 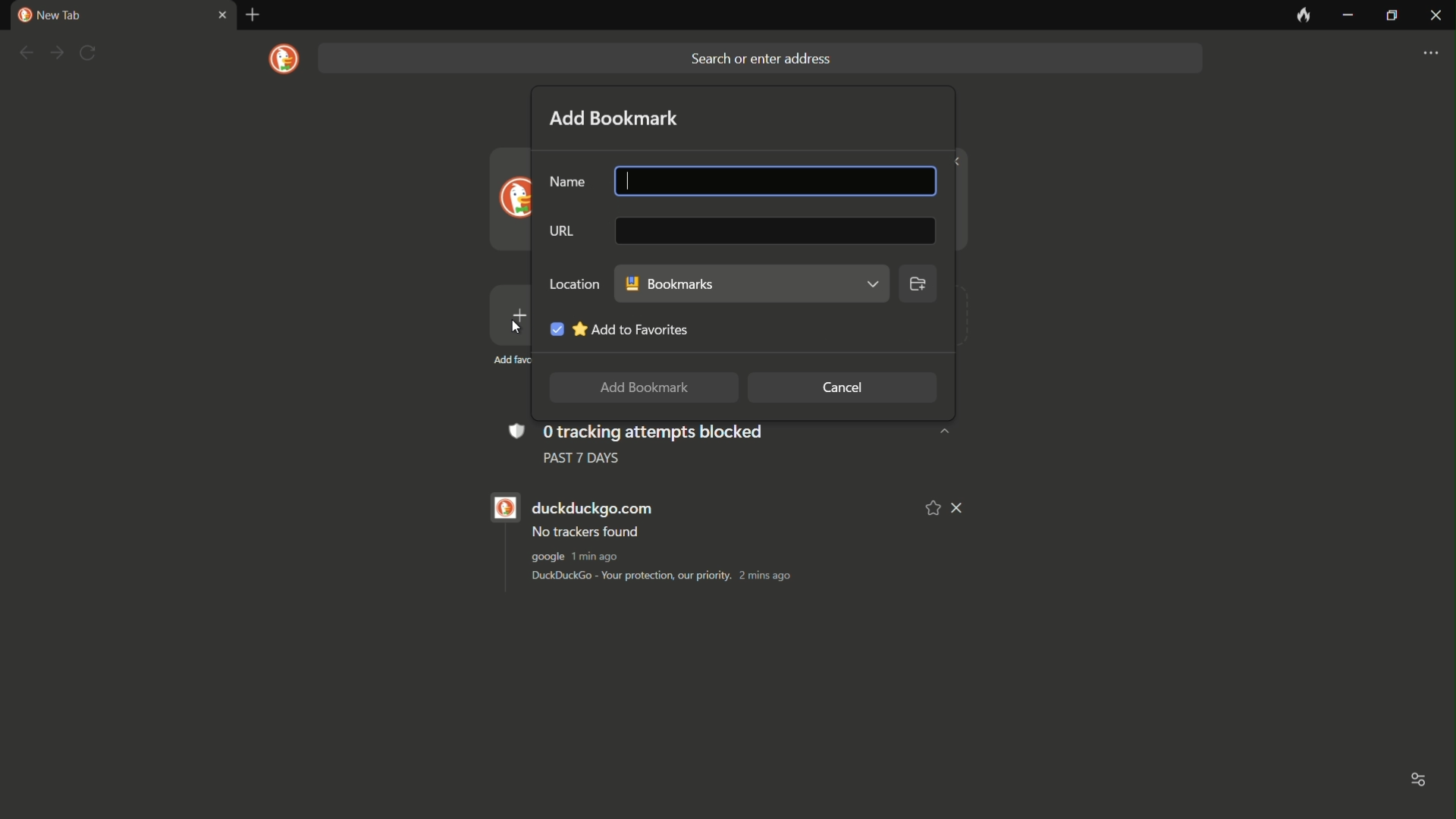 I want to click on logo, so click(x=285, y=59).